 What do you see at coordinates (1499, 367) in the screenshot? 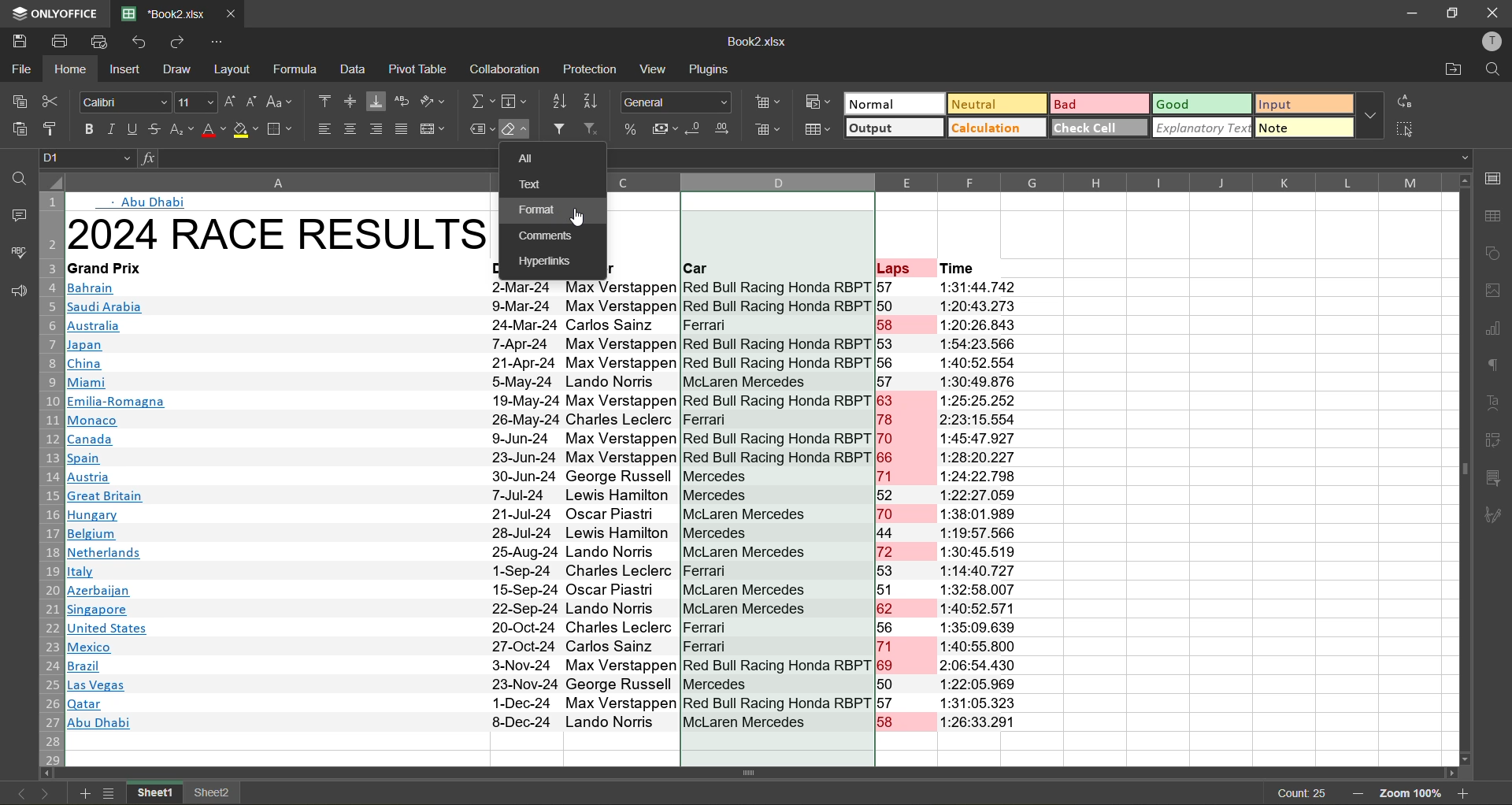
I see `paragraph` at bounding box center [1499, 367].